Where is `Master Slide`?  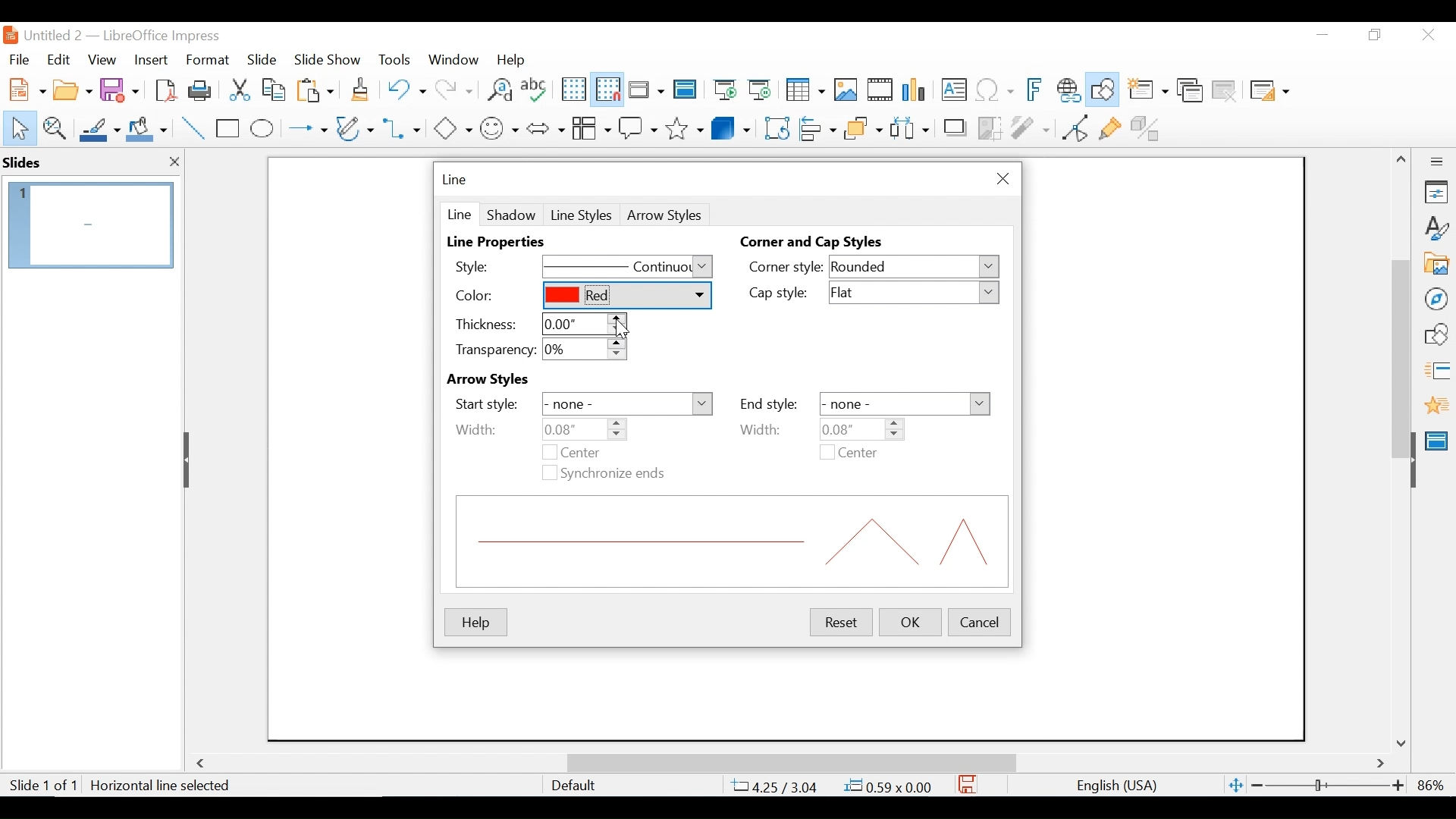
Master Slide is located at coordinates (1439, 439).